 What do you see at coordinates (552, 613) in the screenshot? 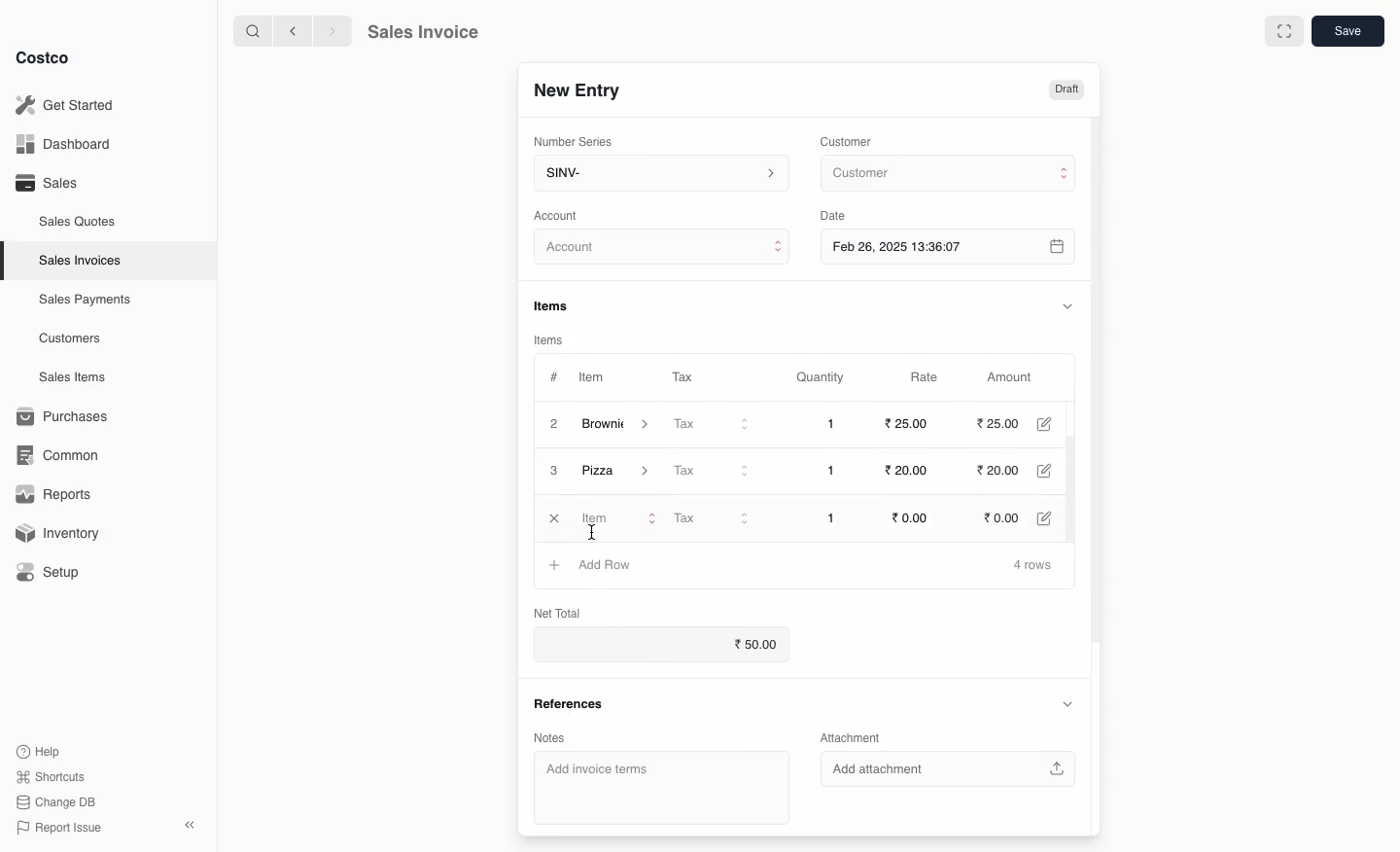
I see `Net Total` at bounding box center [552, 613].